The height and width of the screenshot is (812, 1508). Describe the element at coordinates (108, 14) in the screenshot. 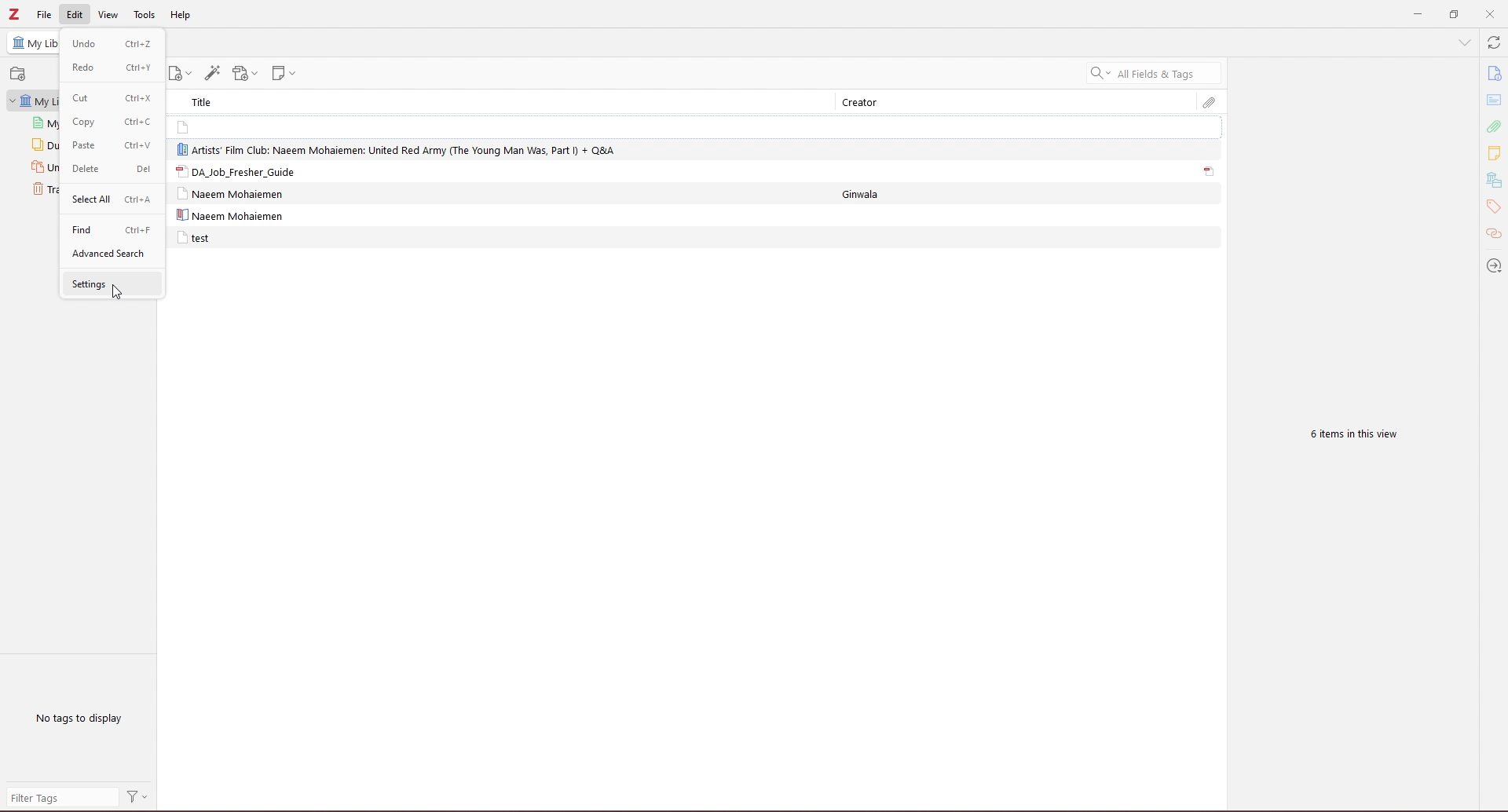

I see `view` at that location.